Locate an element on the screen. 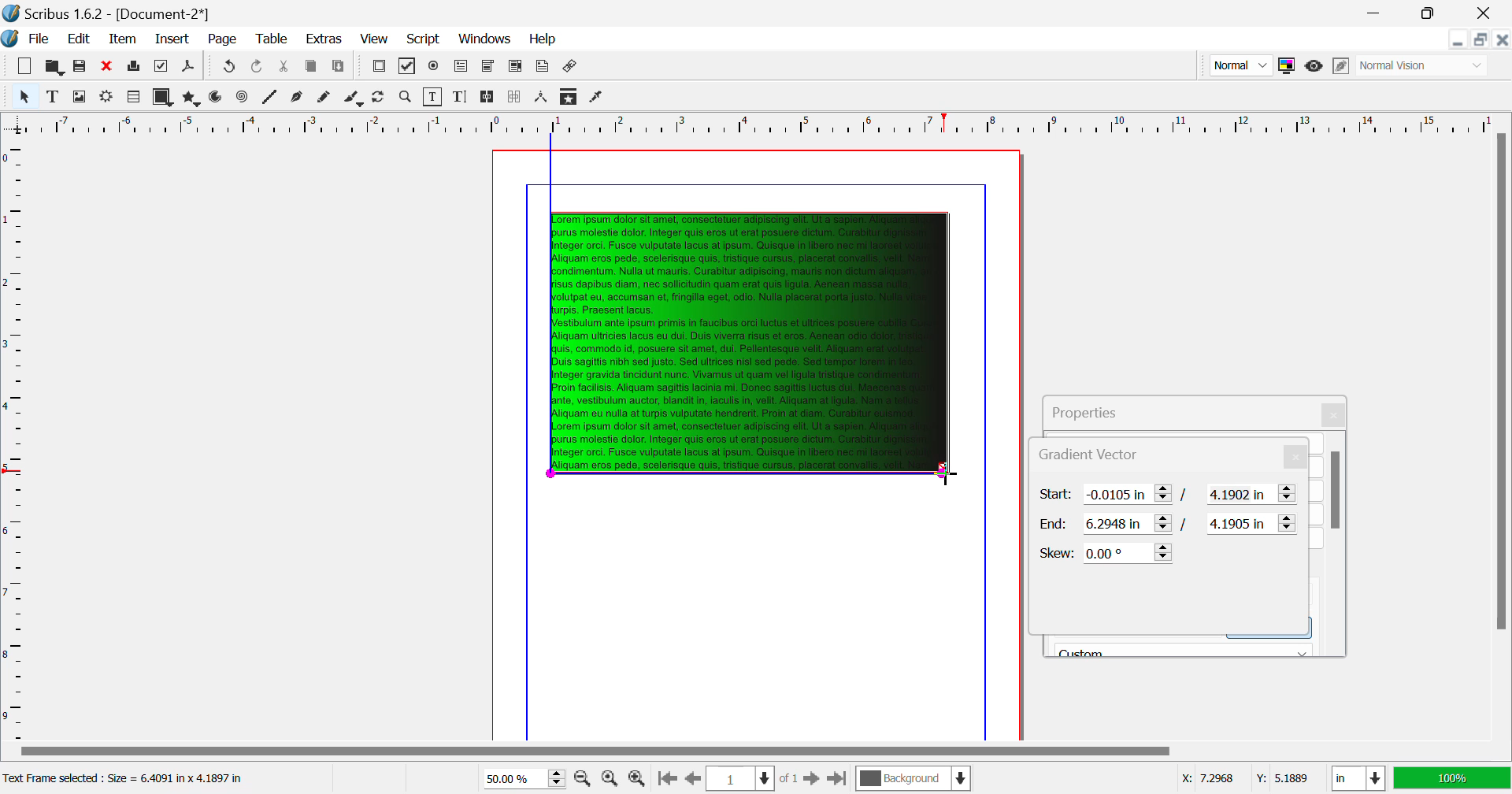 This screenshot has height=794, width=1512. Close is located at coordinates (1488, 13).